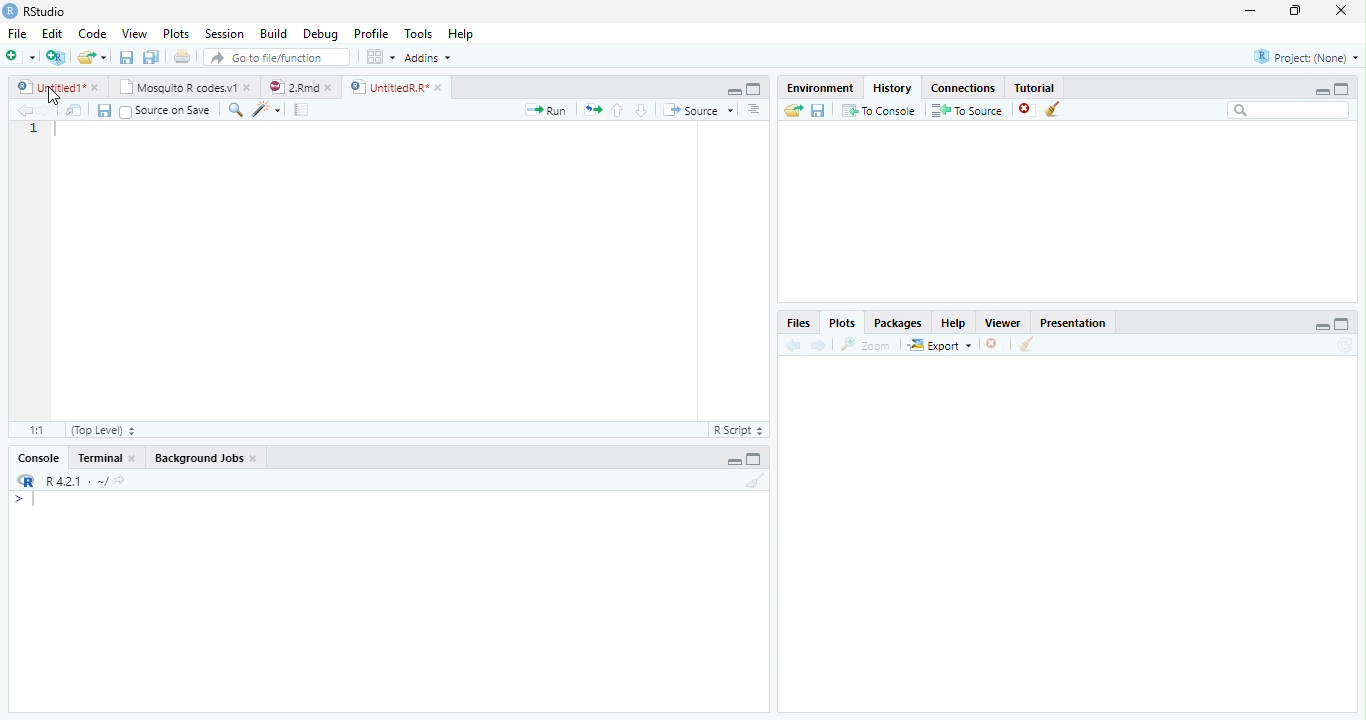  Describe the element at coordinates (994, 345) in the screenshot. I see `Delete ` at that location.